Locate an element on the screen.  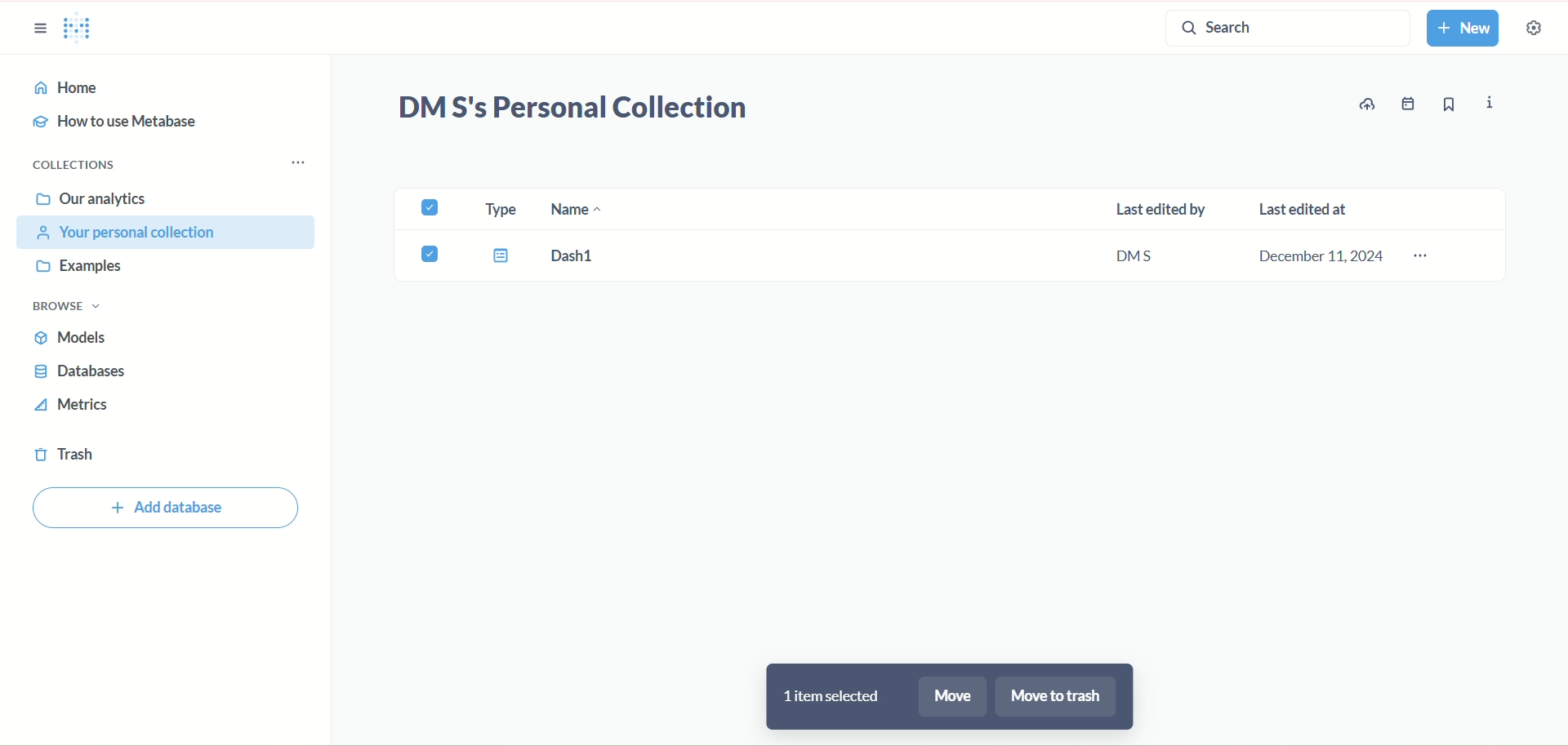
trash is located at coordinates (67, 452).